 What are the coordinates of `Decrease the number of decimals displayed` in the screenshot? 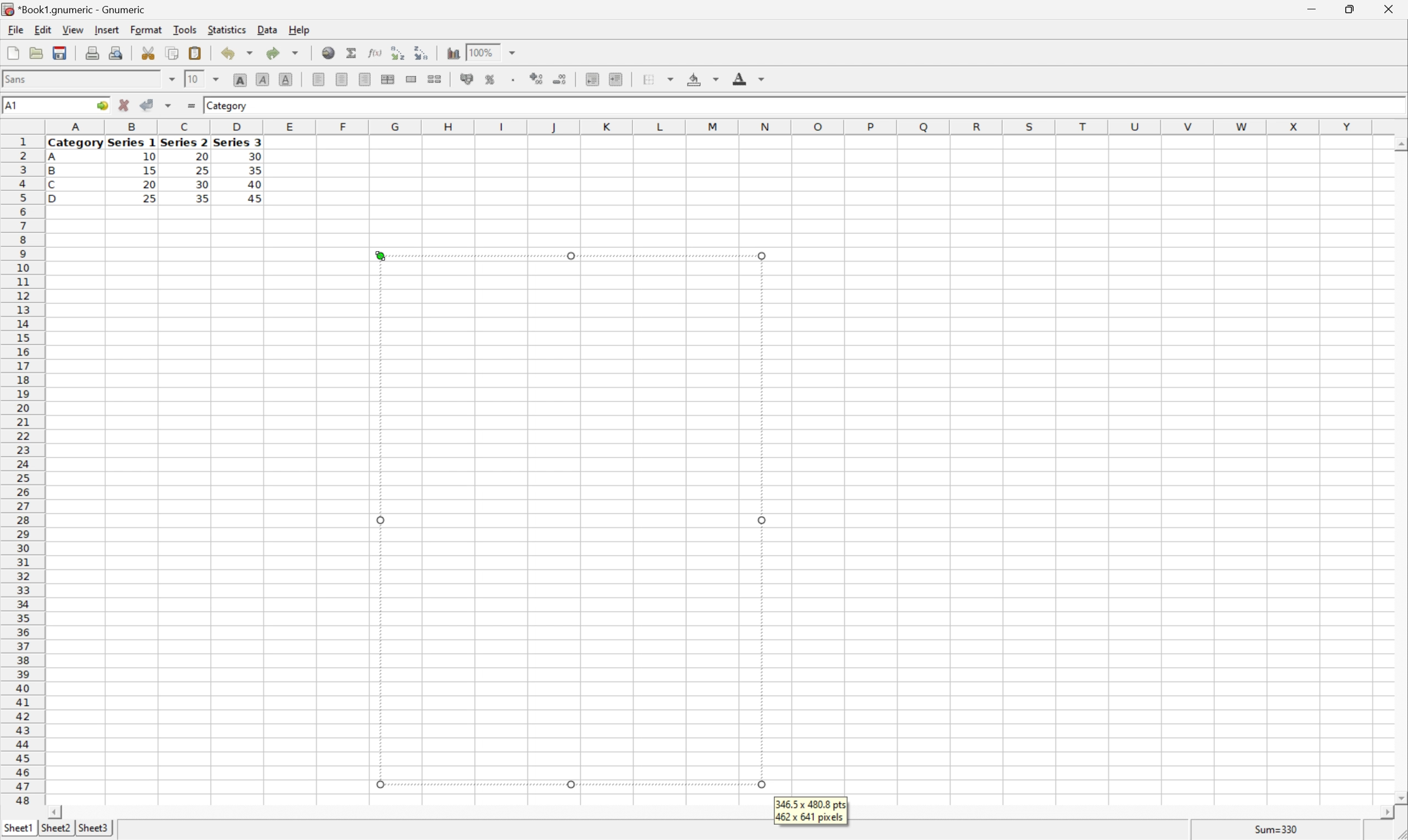 It's located at (559, 78).